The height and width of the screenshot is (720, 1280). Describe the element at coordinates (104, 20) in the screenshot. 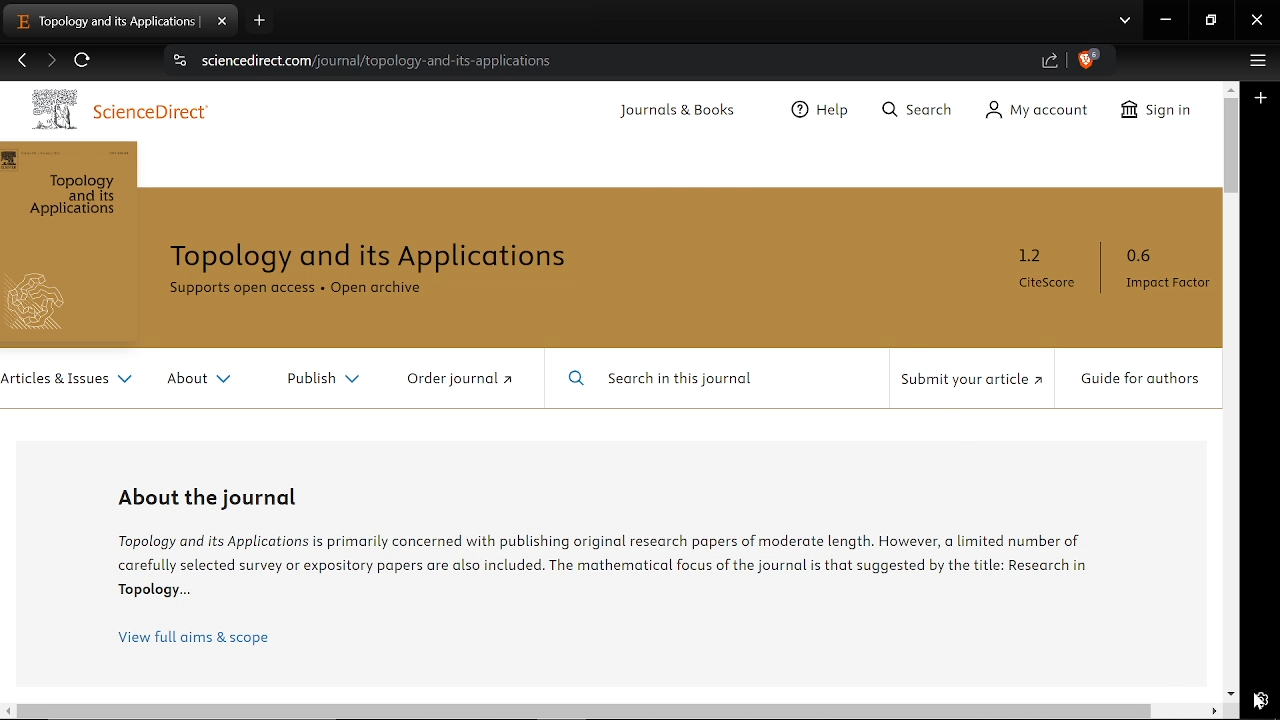

I see `Current tab` at that location.